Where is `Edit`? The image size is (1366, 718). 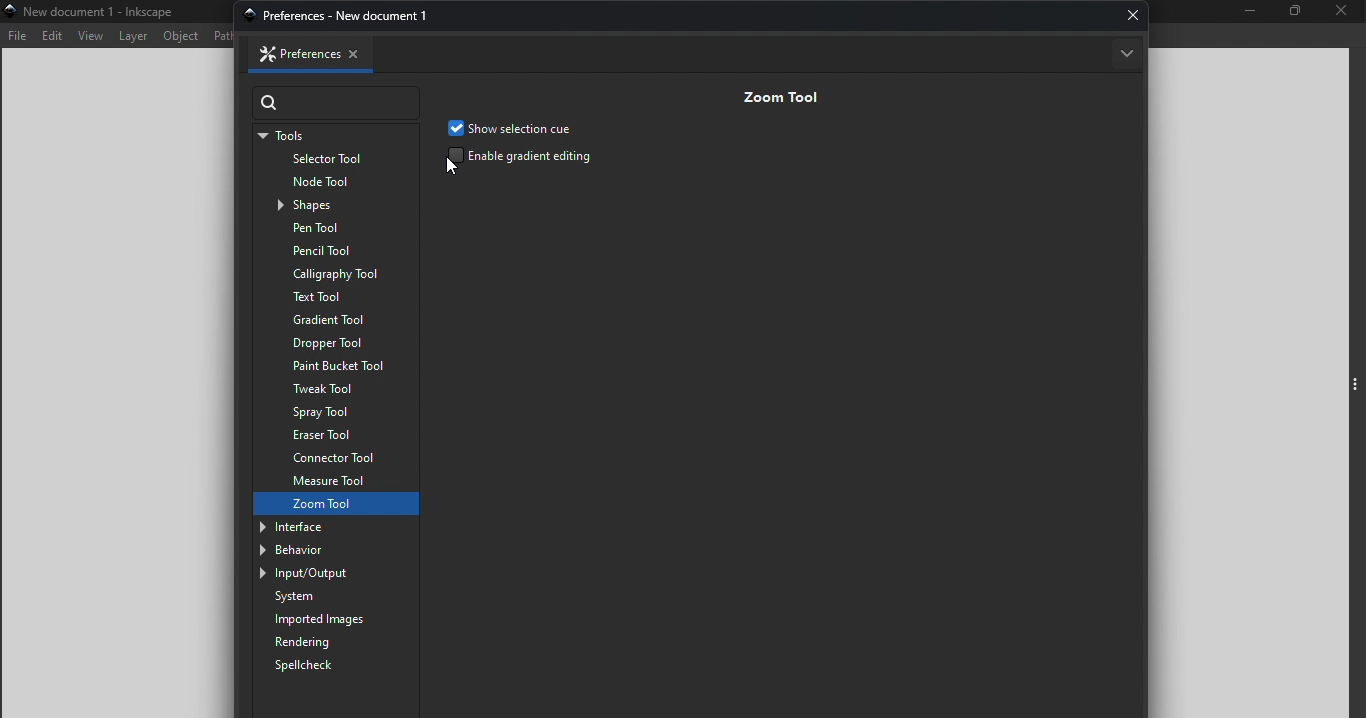
Edit is located at coordinates (51, 35).